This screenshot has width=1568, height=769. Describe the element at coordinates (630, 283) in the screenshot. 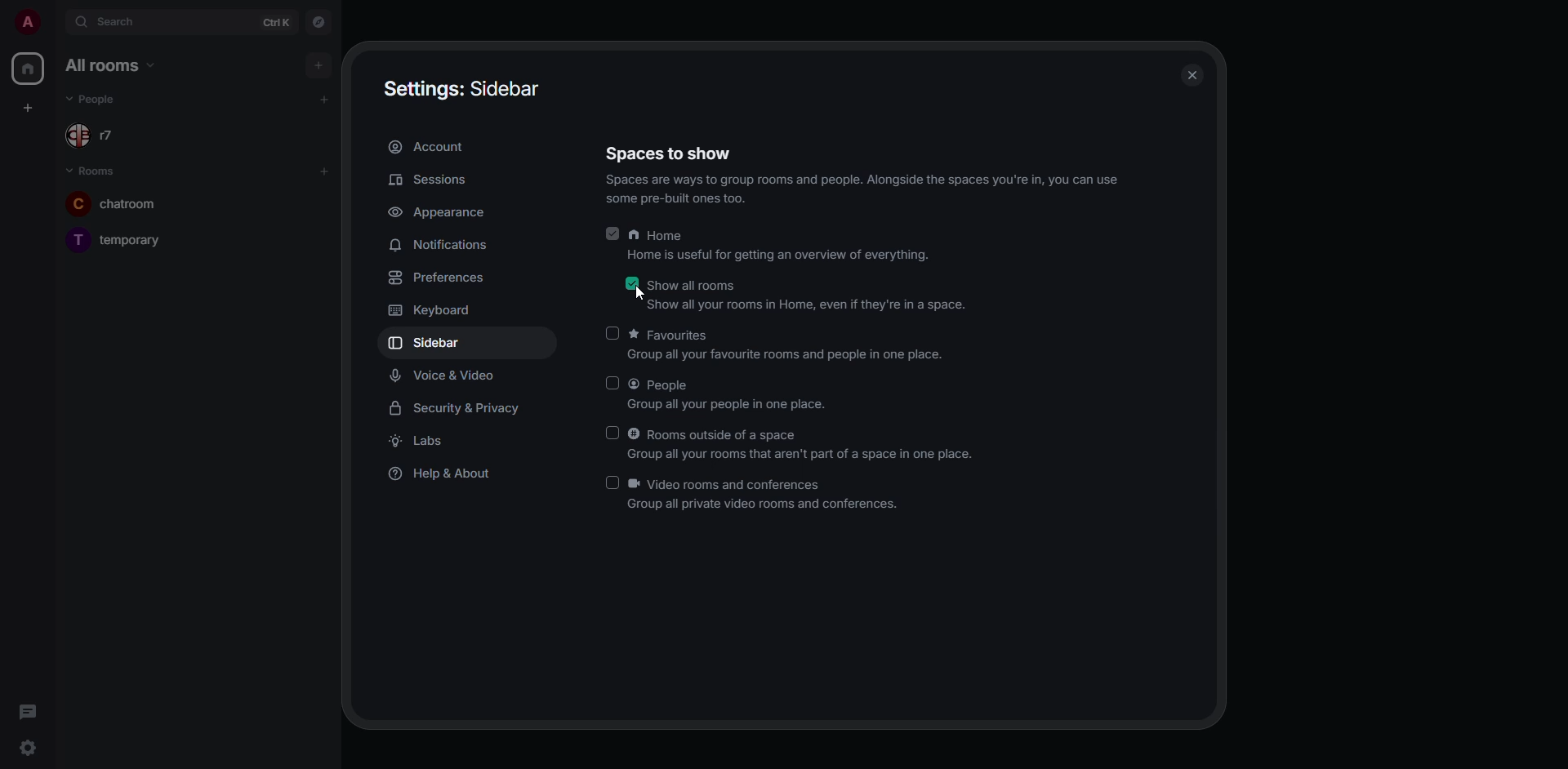

I see `enabled` at that location.